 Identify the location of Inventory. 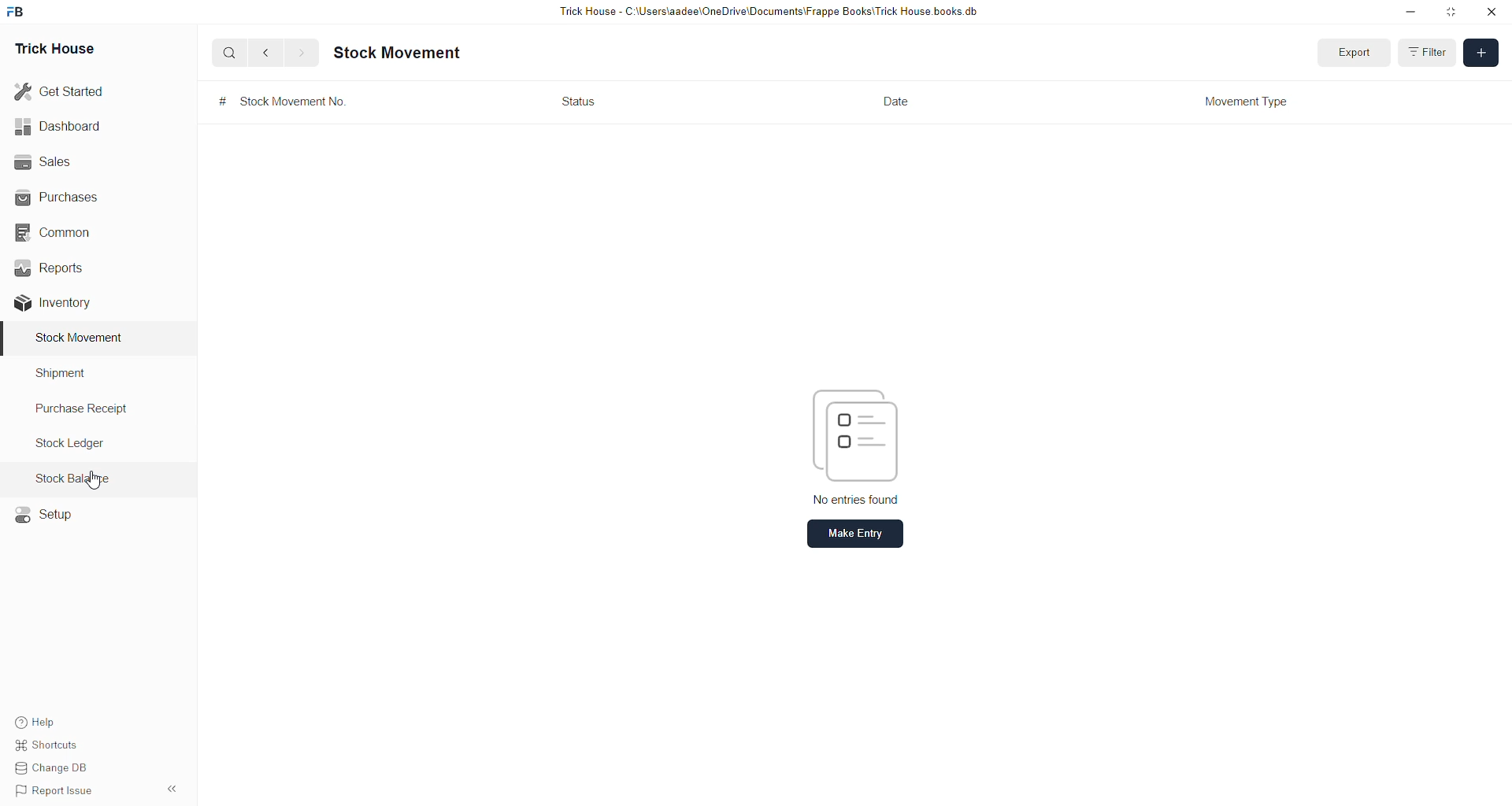
(56, 306).